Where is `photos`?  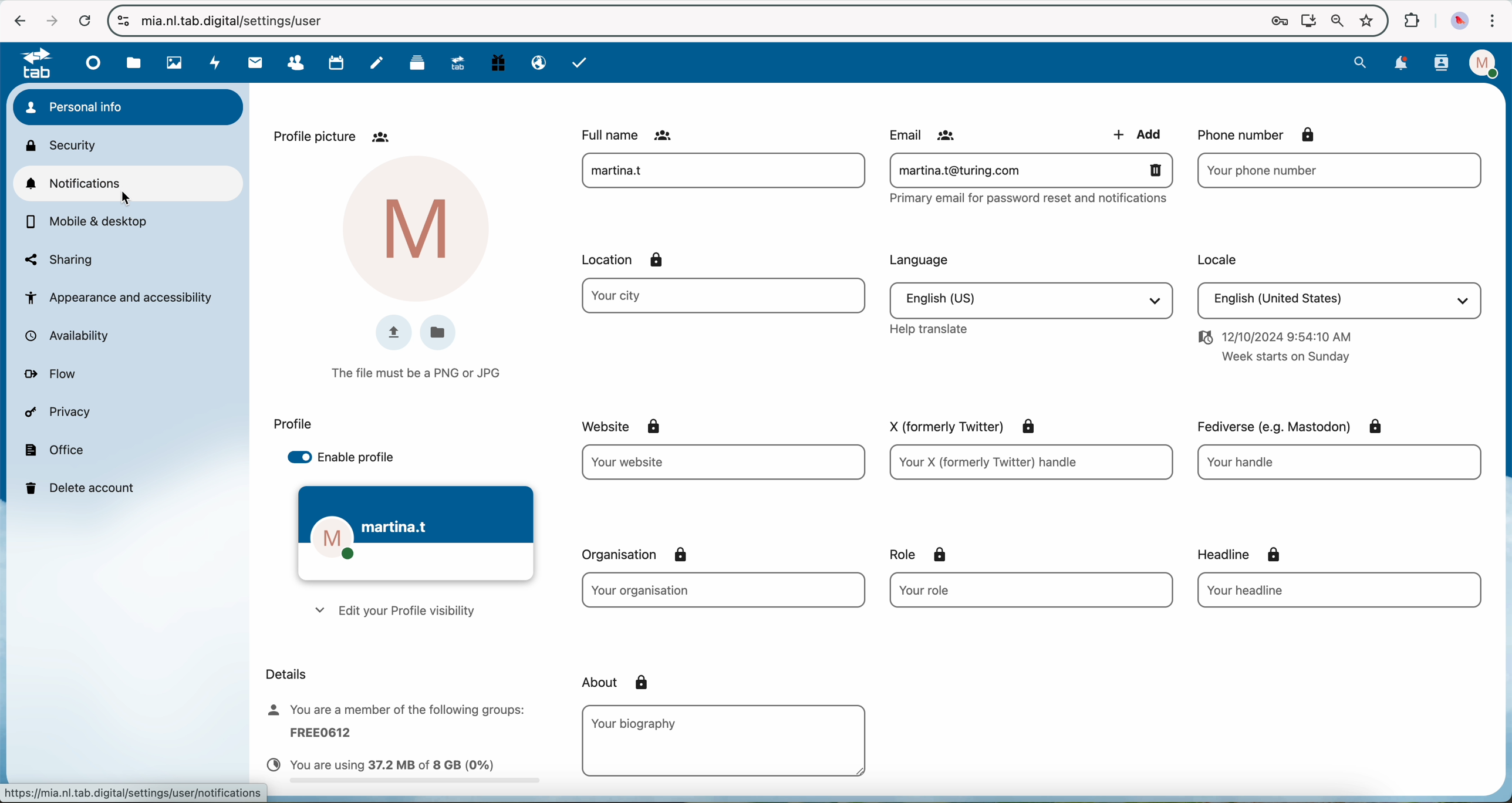
photos is located at coordinates (173, 63).